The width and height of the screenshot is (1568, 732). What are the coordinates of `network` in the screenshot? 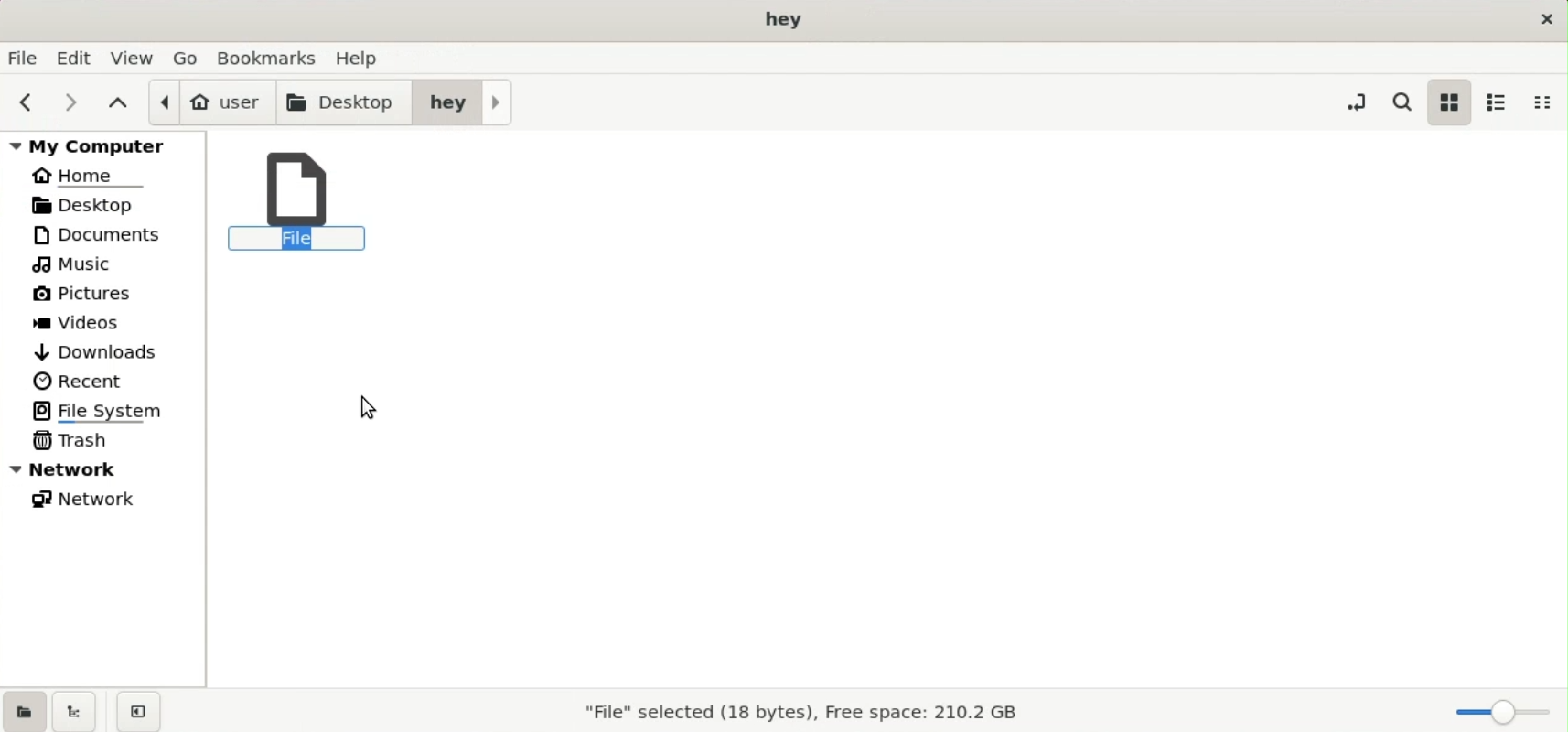 It's located at (91, 502).